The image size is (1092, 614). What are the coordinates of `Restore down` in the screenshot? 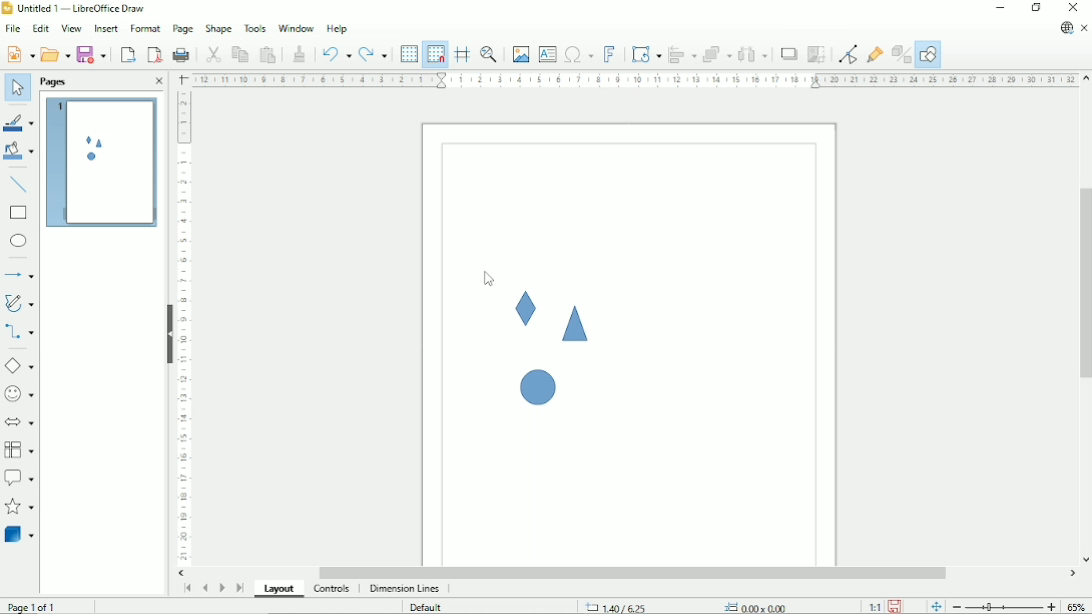 It's located at (1036, 8).